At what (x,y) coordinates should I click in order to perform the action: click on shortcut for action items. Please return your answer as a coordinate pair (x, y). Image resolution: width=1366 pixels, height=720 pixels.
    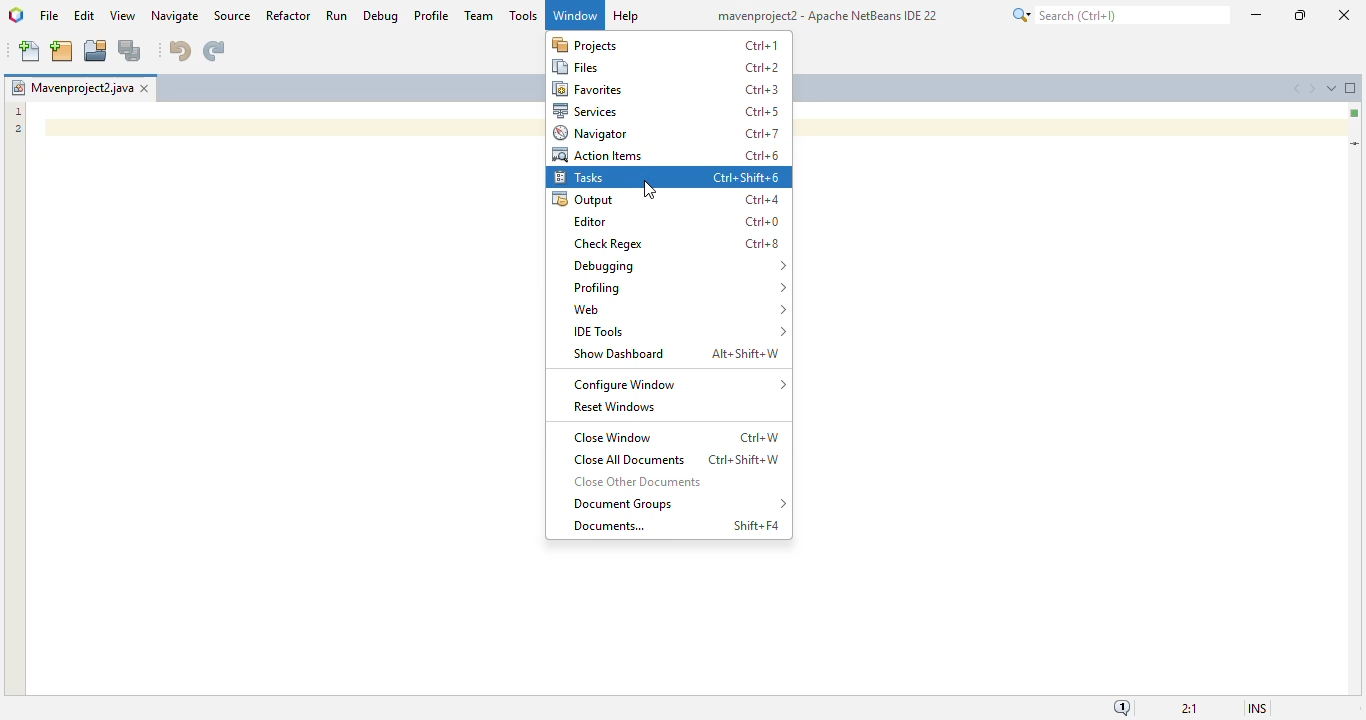
    Looking at the image, I should click on (762, 156).